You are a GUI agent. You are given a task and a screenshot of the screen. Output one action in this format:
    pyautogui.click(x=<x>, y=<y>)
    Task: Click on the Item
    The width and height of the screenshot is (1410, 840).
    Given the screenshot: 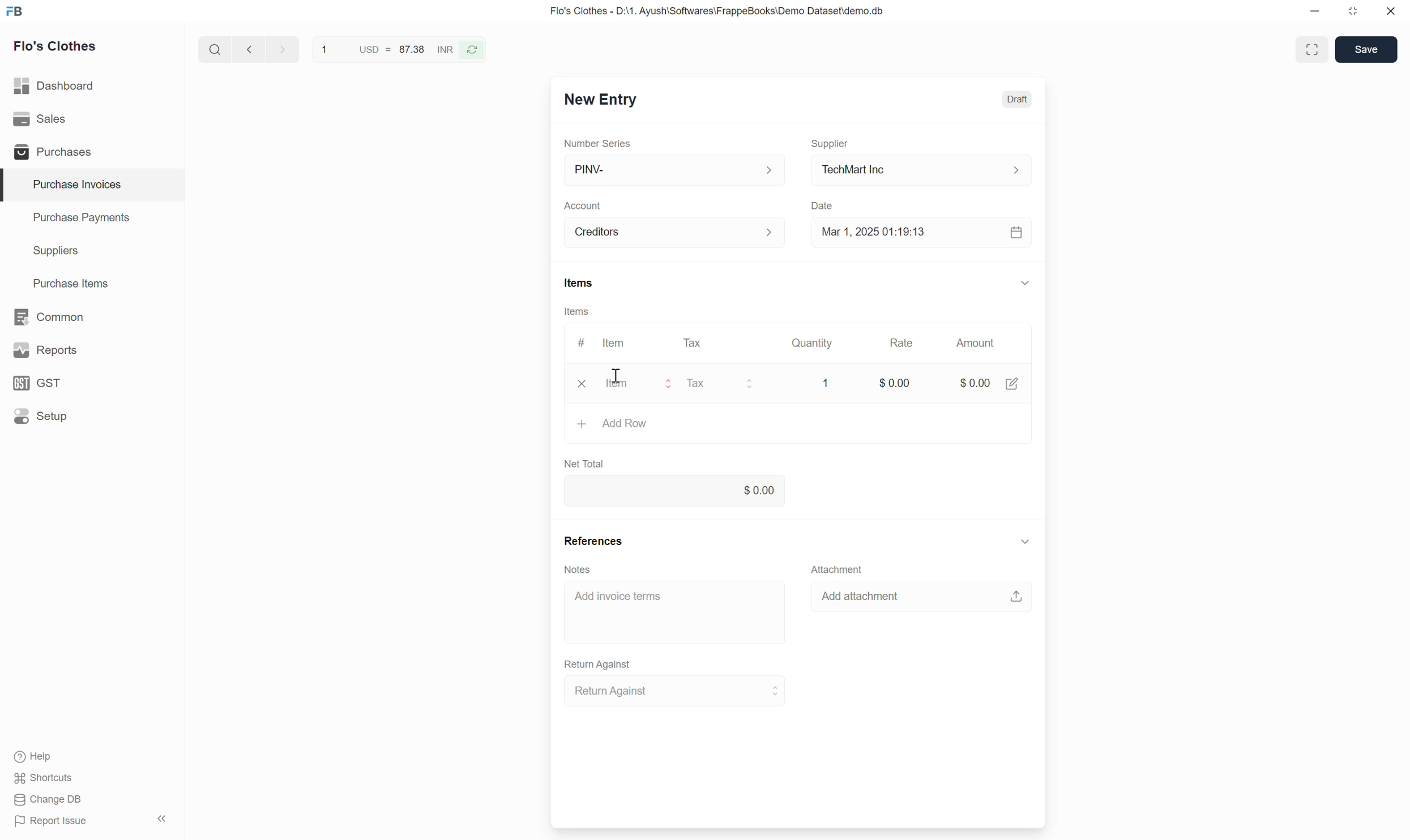 What is the action you would take?
    pyautogui.click(x=638, y=384)
    